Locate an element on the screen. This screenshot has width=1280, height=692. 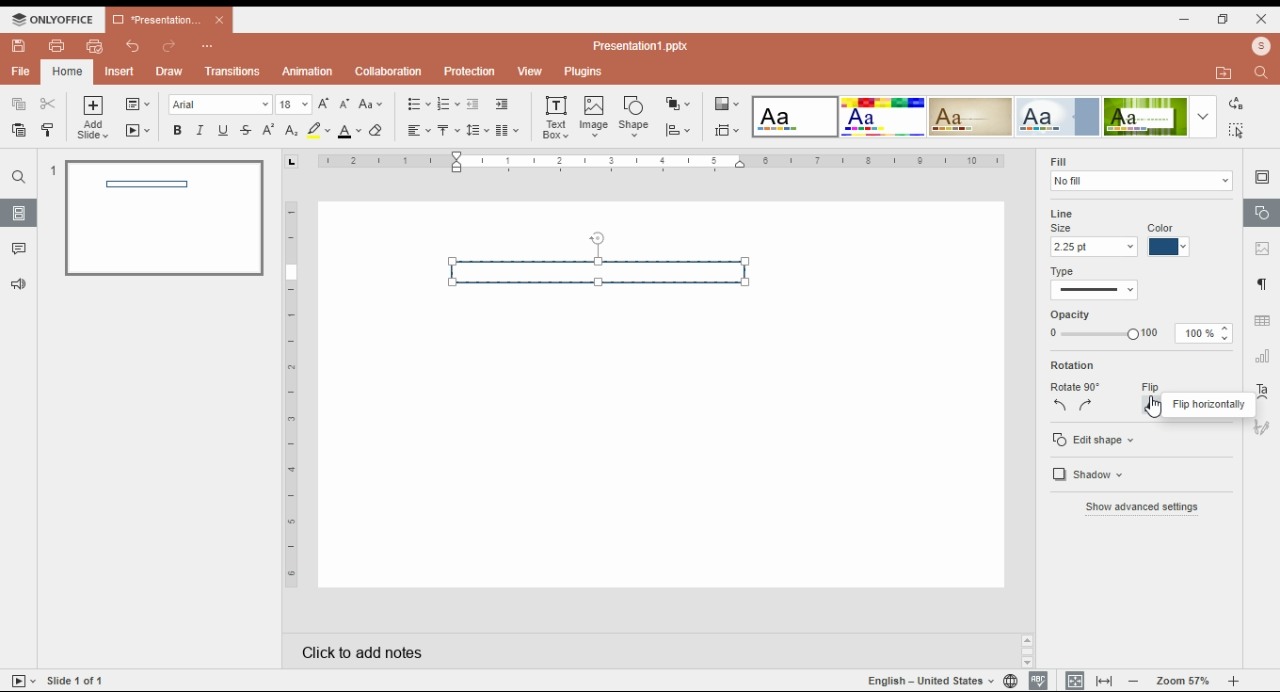
line size is located at coordinates (1094, 247).